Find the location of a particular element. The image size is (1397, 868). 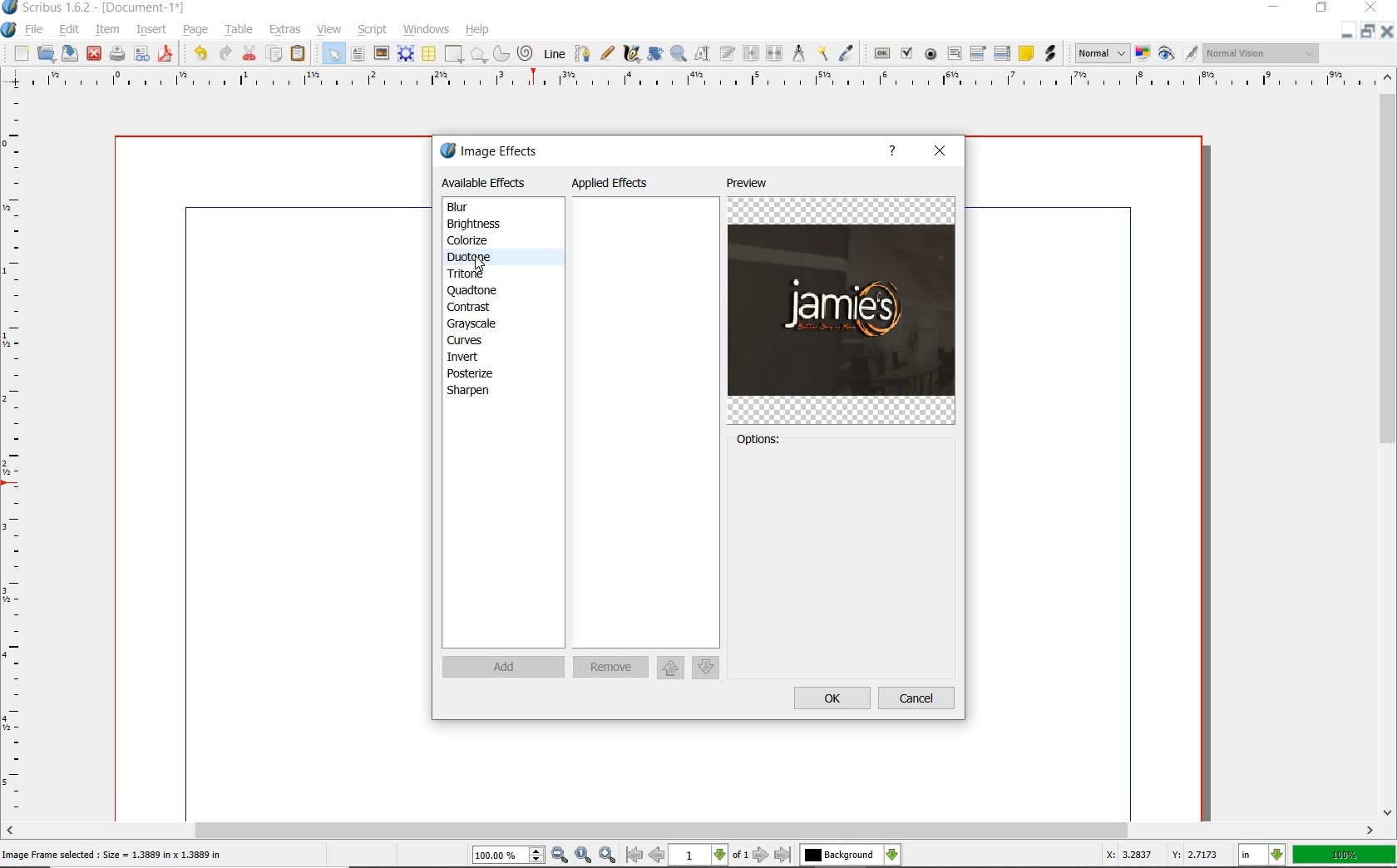

text frame is located at coordinates (358, 54).